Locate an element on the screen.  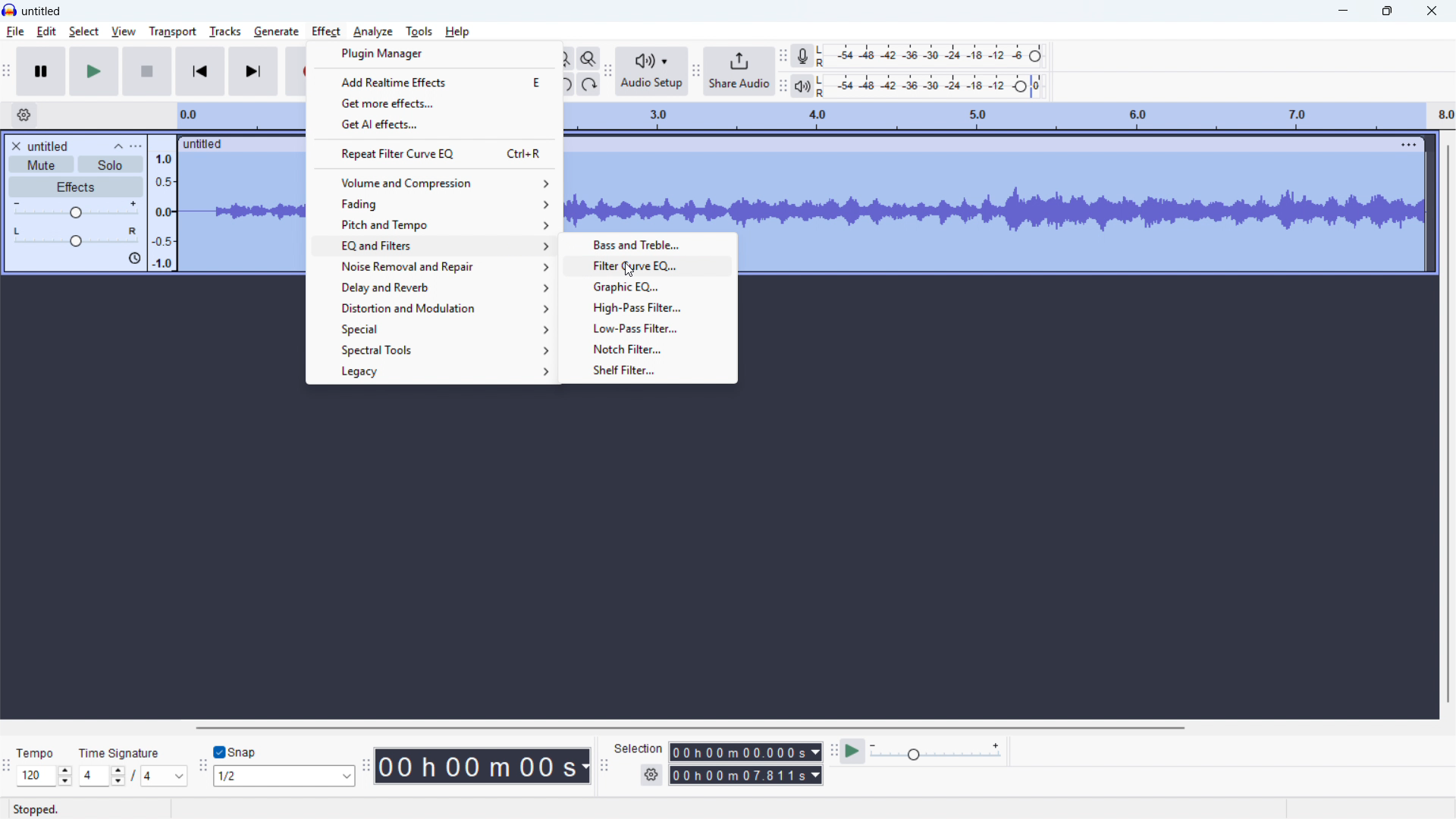
Noise removal and repair  is located at coordinates (432, 267).